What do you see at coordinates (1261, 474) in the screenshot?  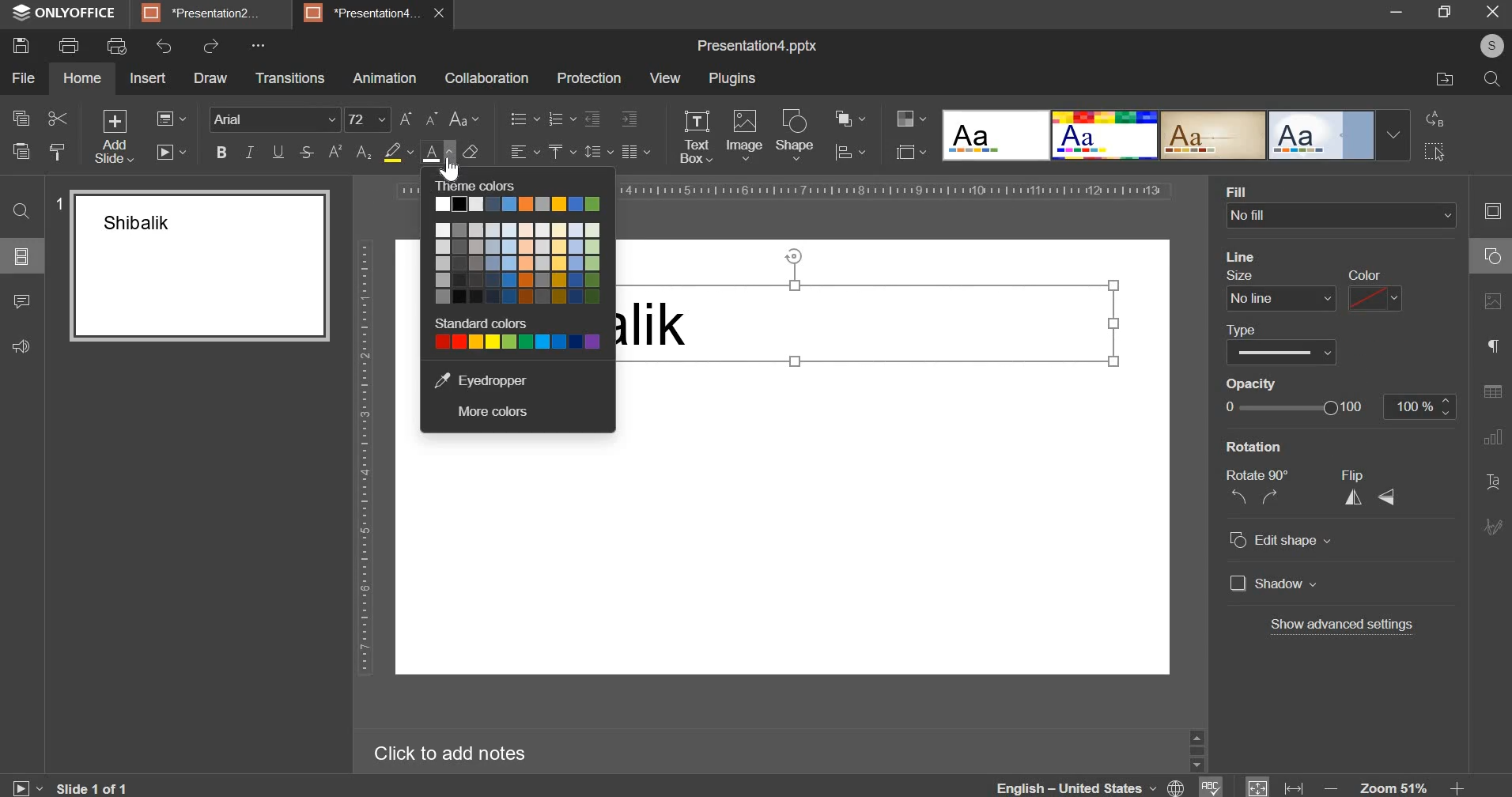 I see `rotate 90` at bounding box center [1261, 474].